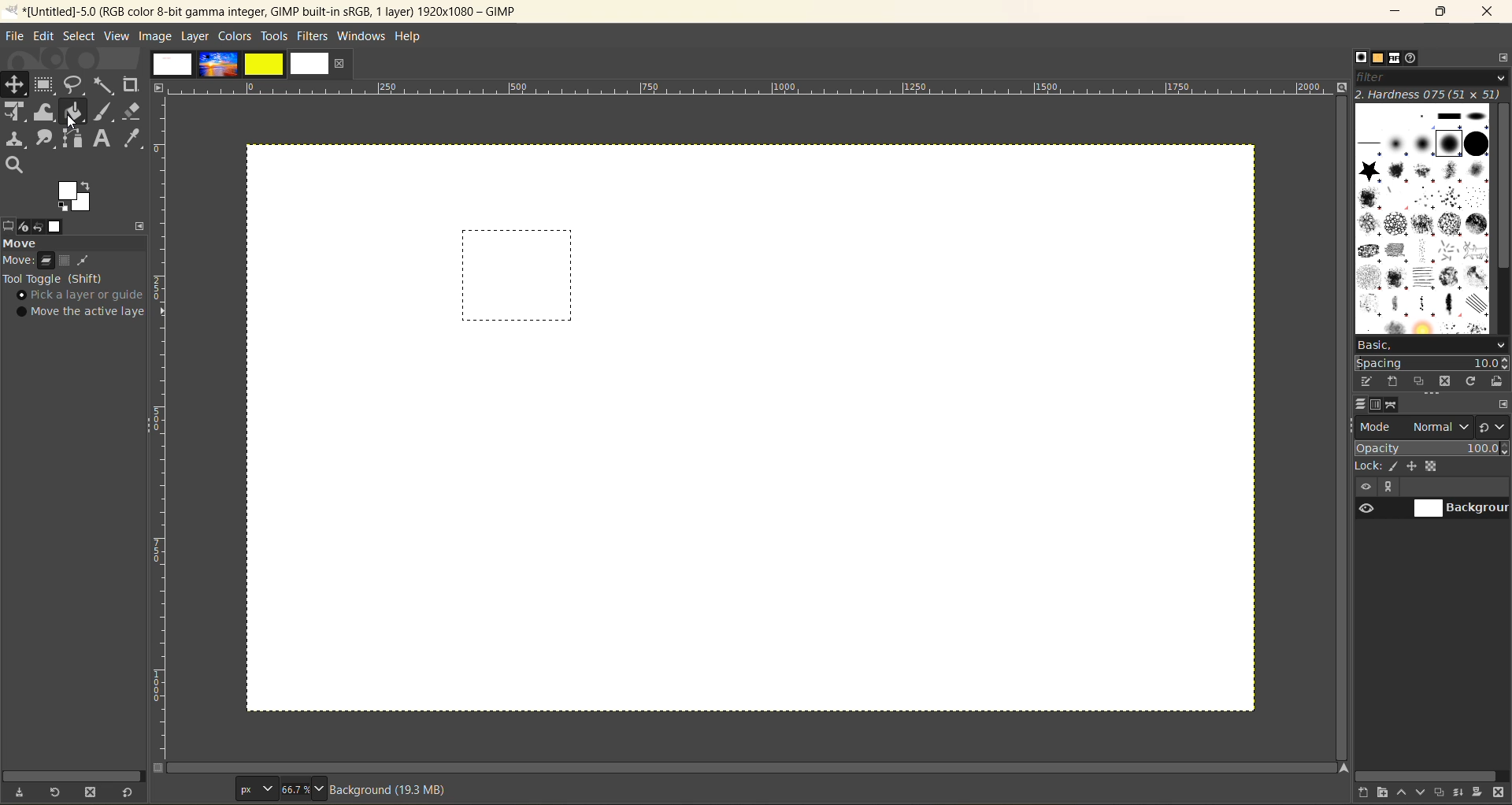 Image resolution: width=1512 pixels, height=805 pixels. Describe the element at coordinates (163, 430) in the screenshot. I see `scale` at that location.